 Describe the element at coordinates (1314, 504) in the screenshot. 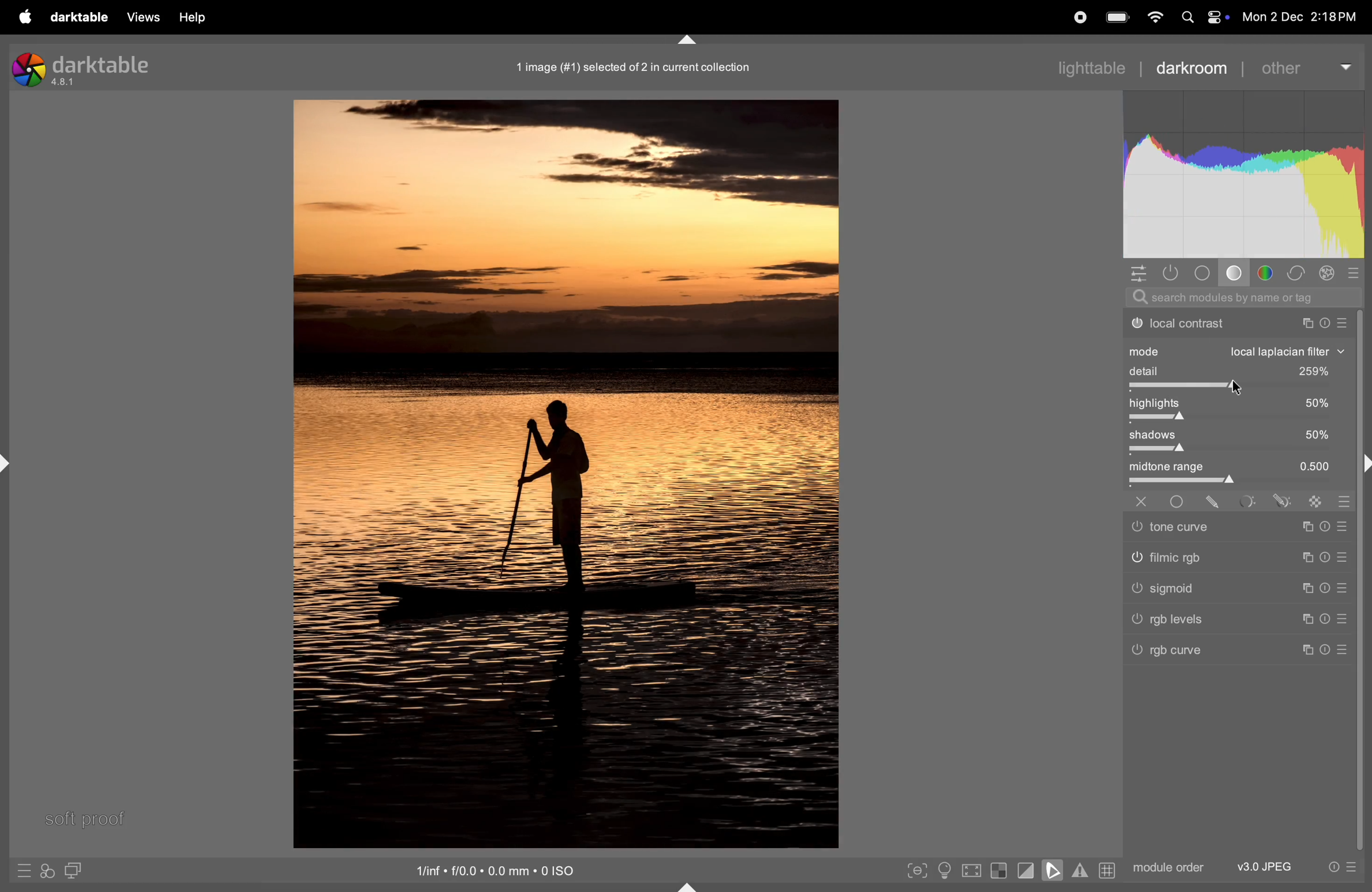

I see `sign` at that location.